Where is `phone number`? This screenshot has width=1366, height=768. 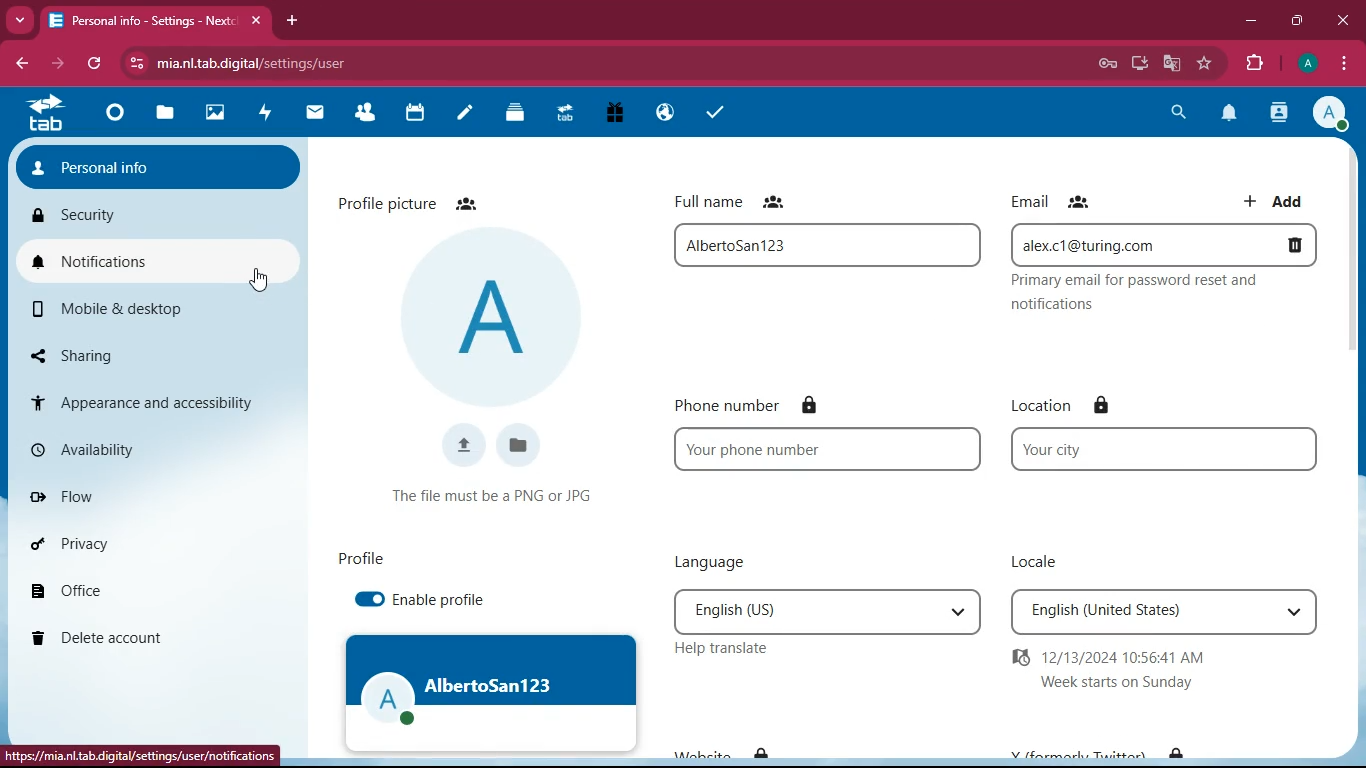 phone number is located at coordinates (727, 402).